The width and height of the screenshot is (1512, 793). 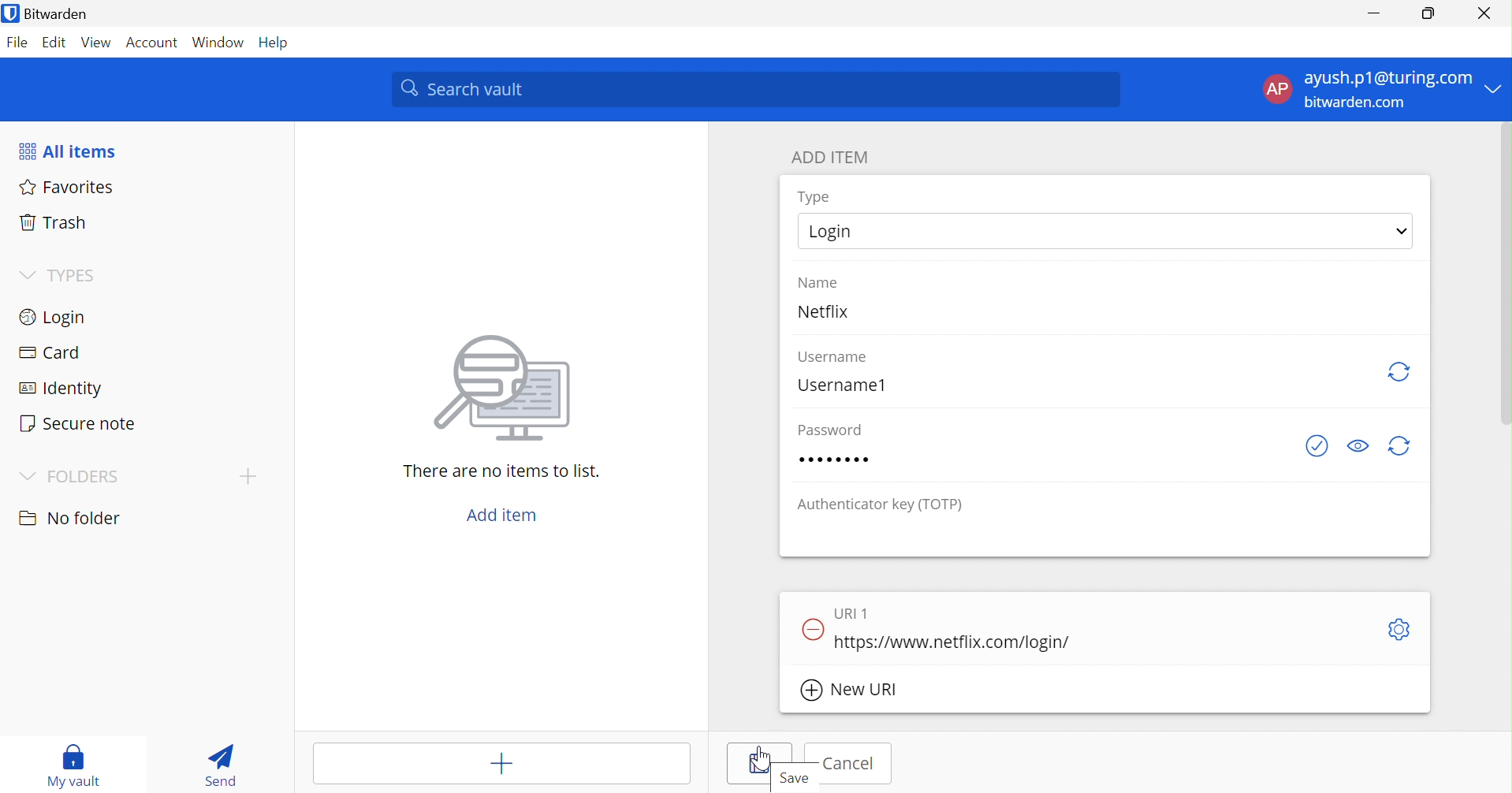 I want to click on AP, so click(x=1277, y=89).